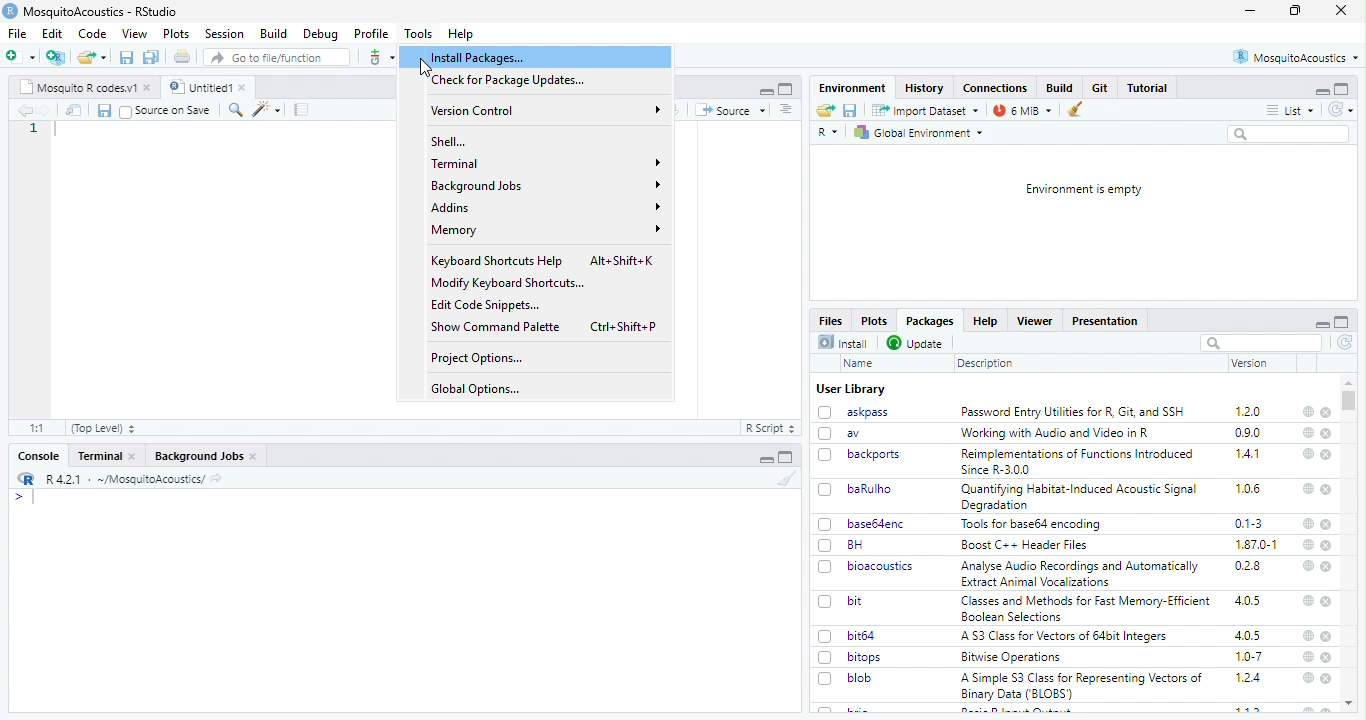 This screenshot has width=1366, height=720. What do you see at coordinates (100, 456) in the screenshot?
I see `Terminal` at bounding box center [100, 456].